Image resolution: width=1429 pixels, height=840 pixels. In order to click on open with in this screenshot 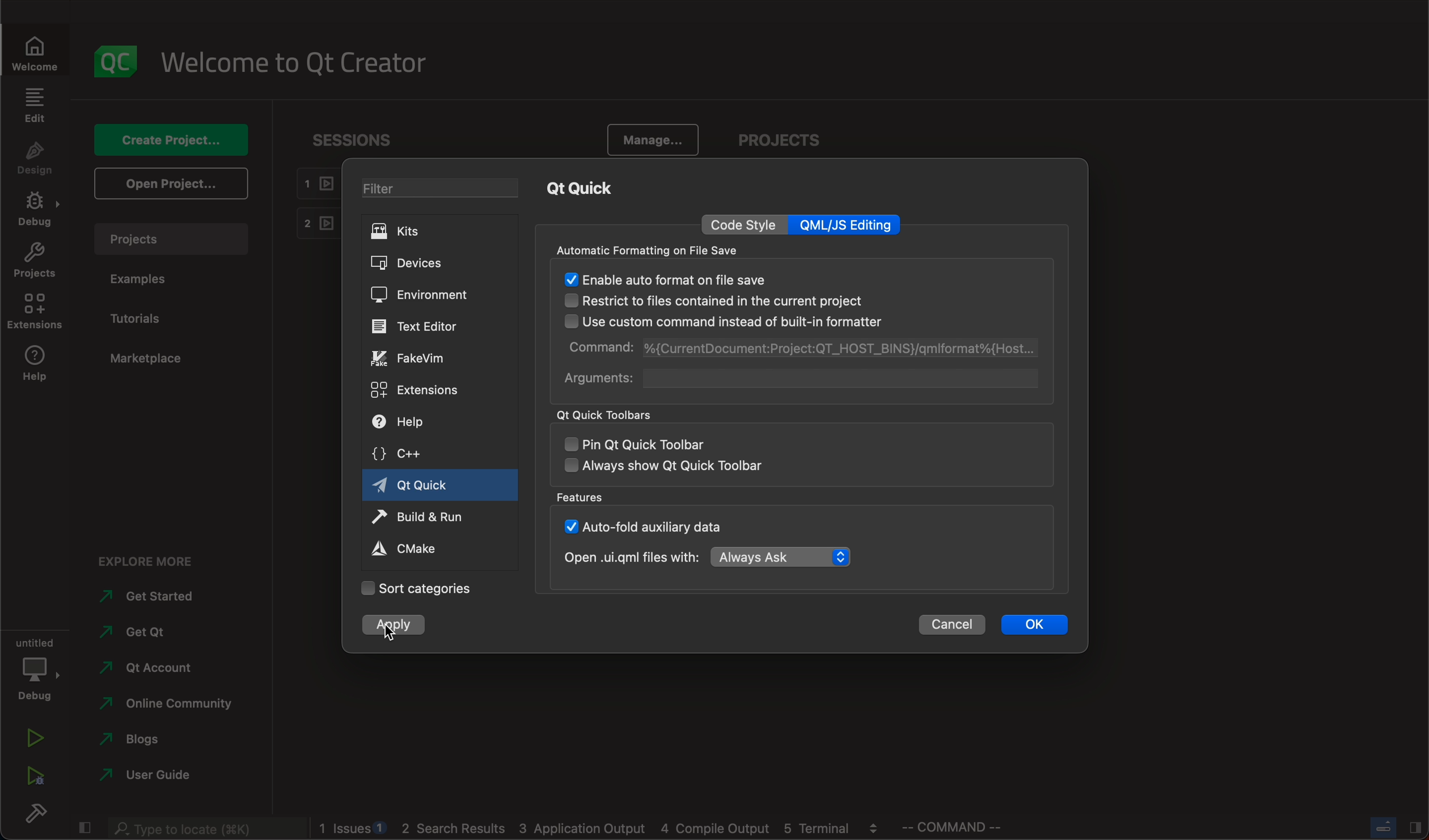, I will do `click(720, 561)`.